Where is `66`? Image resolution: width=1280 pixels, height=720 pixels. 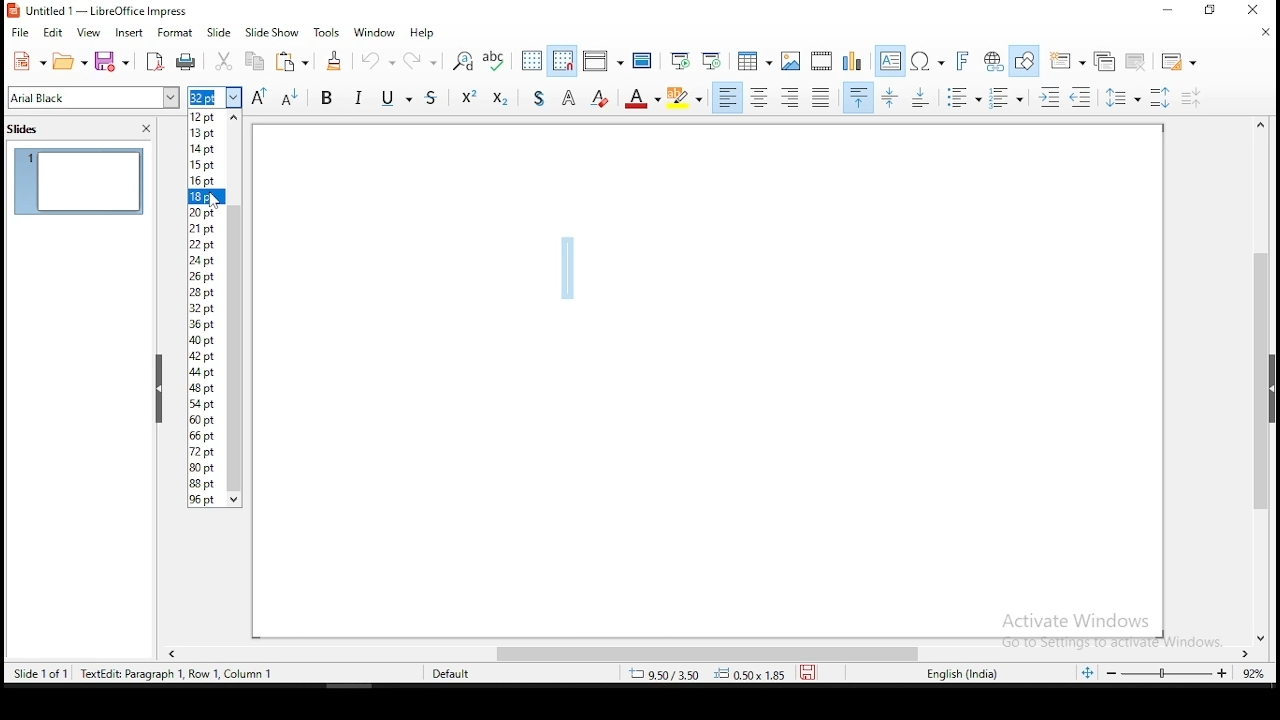
66 is located at coordinates (207, 436).